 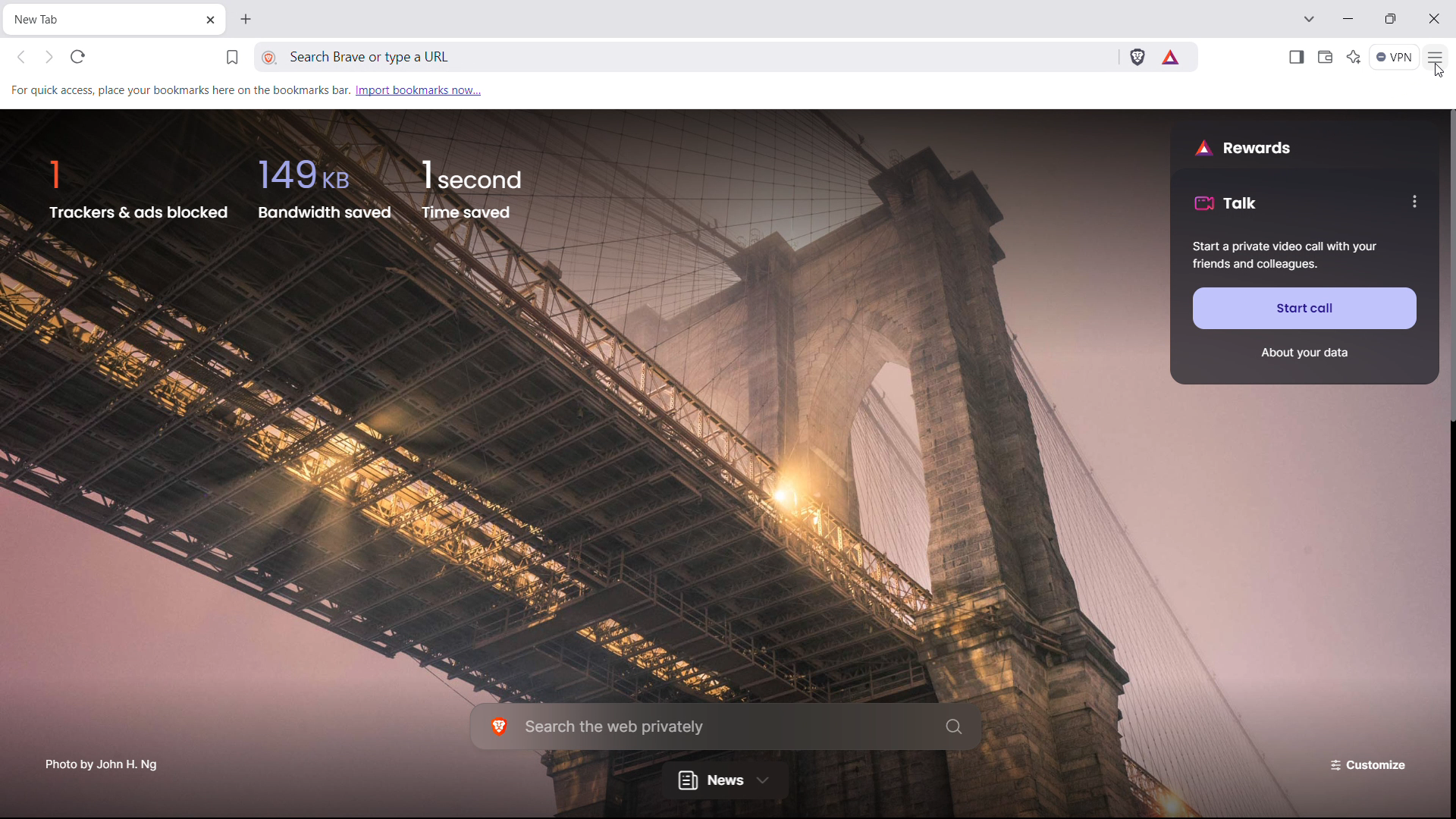 What do you see at coordinates (1348, 18) in the screenshot?
I see `minimize` at bounding box center [1348, 18].